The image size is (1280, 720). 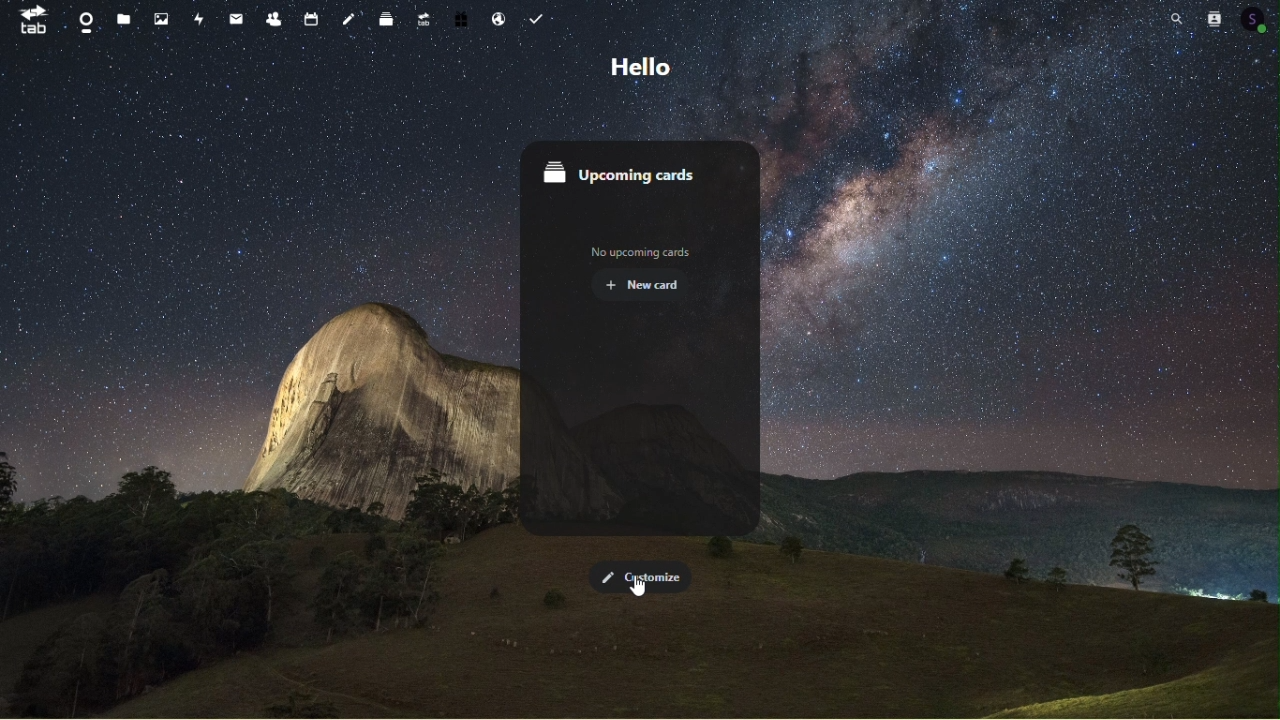 I want to click on Hello, so click(x=637, y=64).